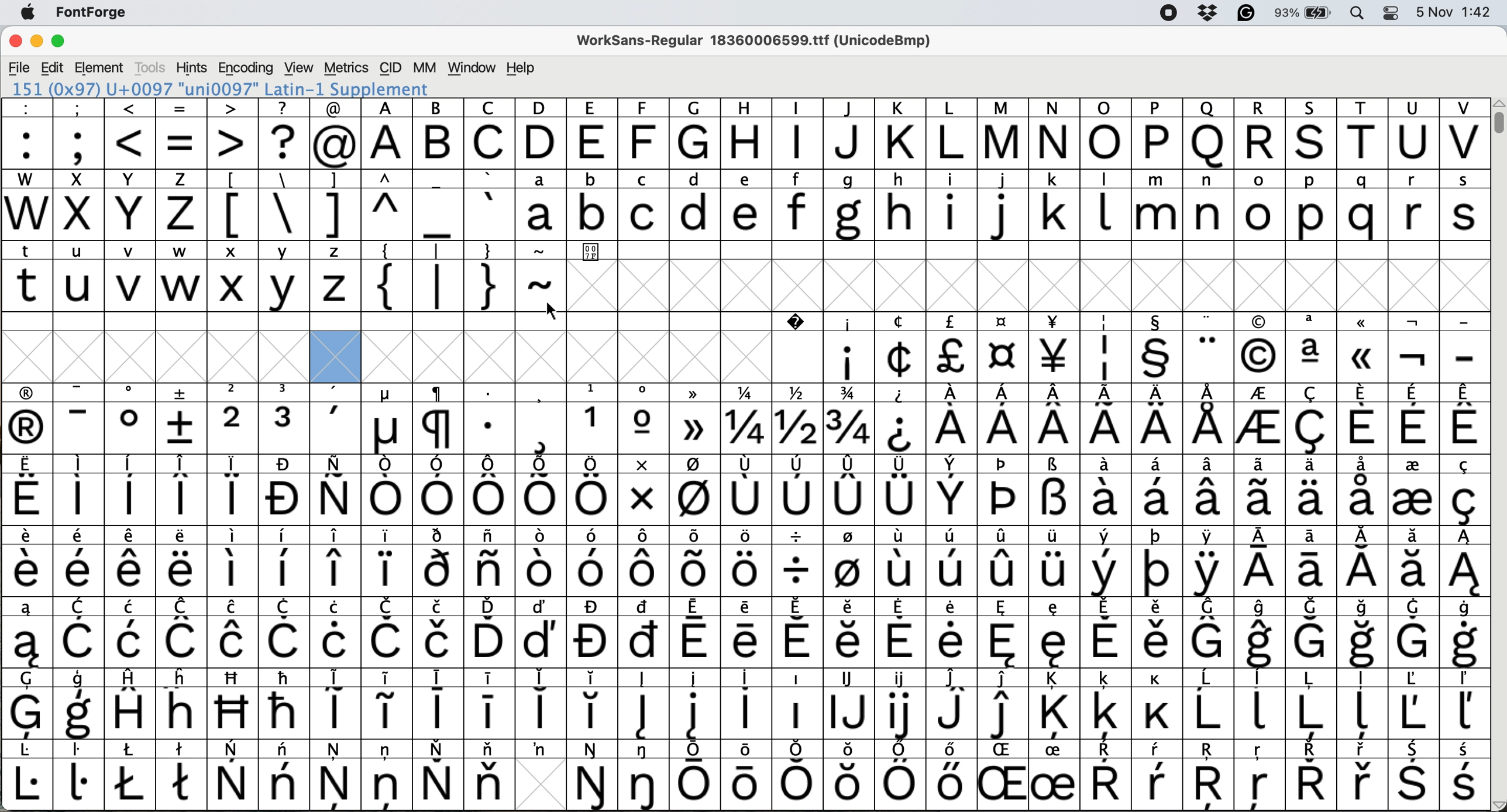  I want to click on symbol, so click(850, 489).